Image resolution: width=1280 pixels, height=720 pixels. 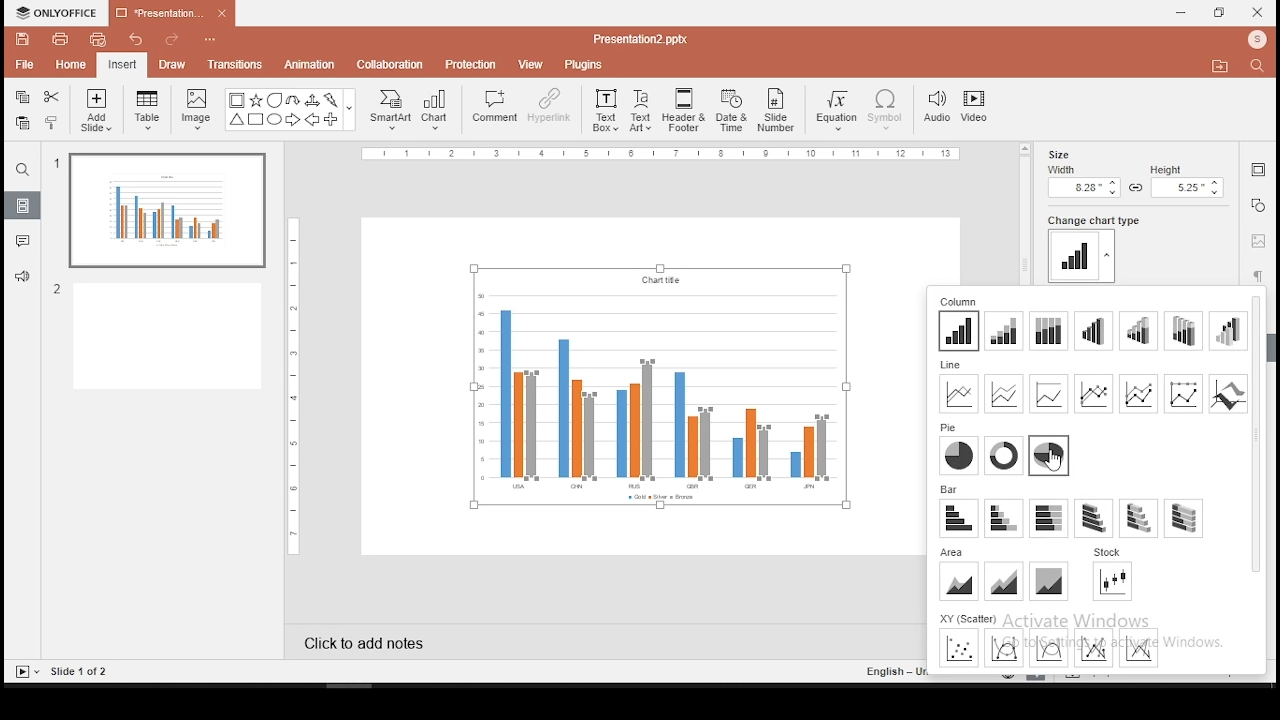 What do you see at coordinates (1139, 518) in the screenshot?
I see `bar 5` at bounding box center [1139, 518].